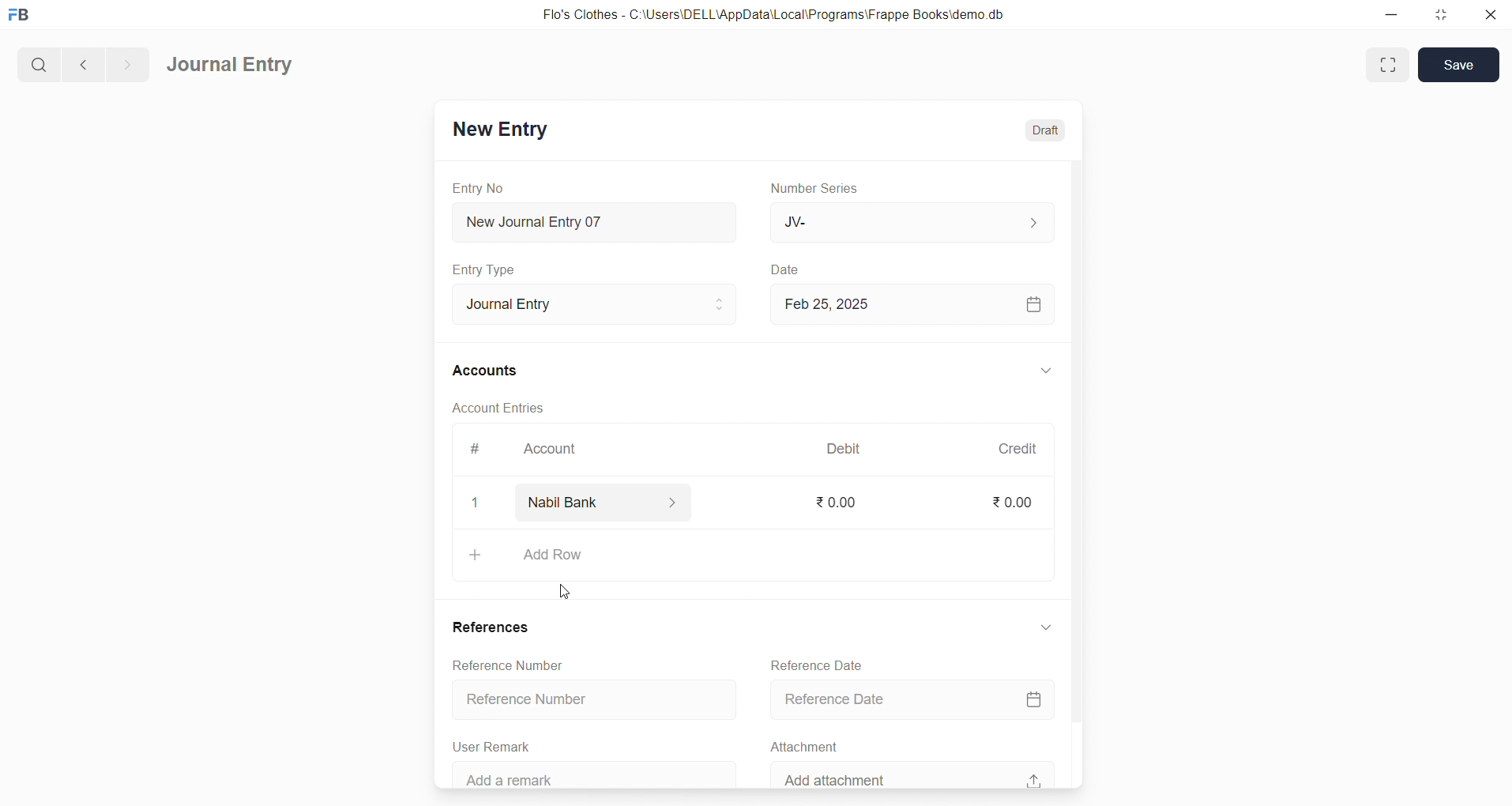  What do you see at coordinates (841, 503) in the screenshot?
I see `₹ 0.00` at bounding box center [841, 503].